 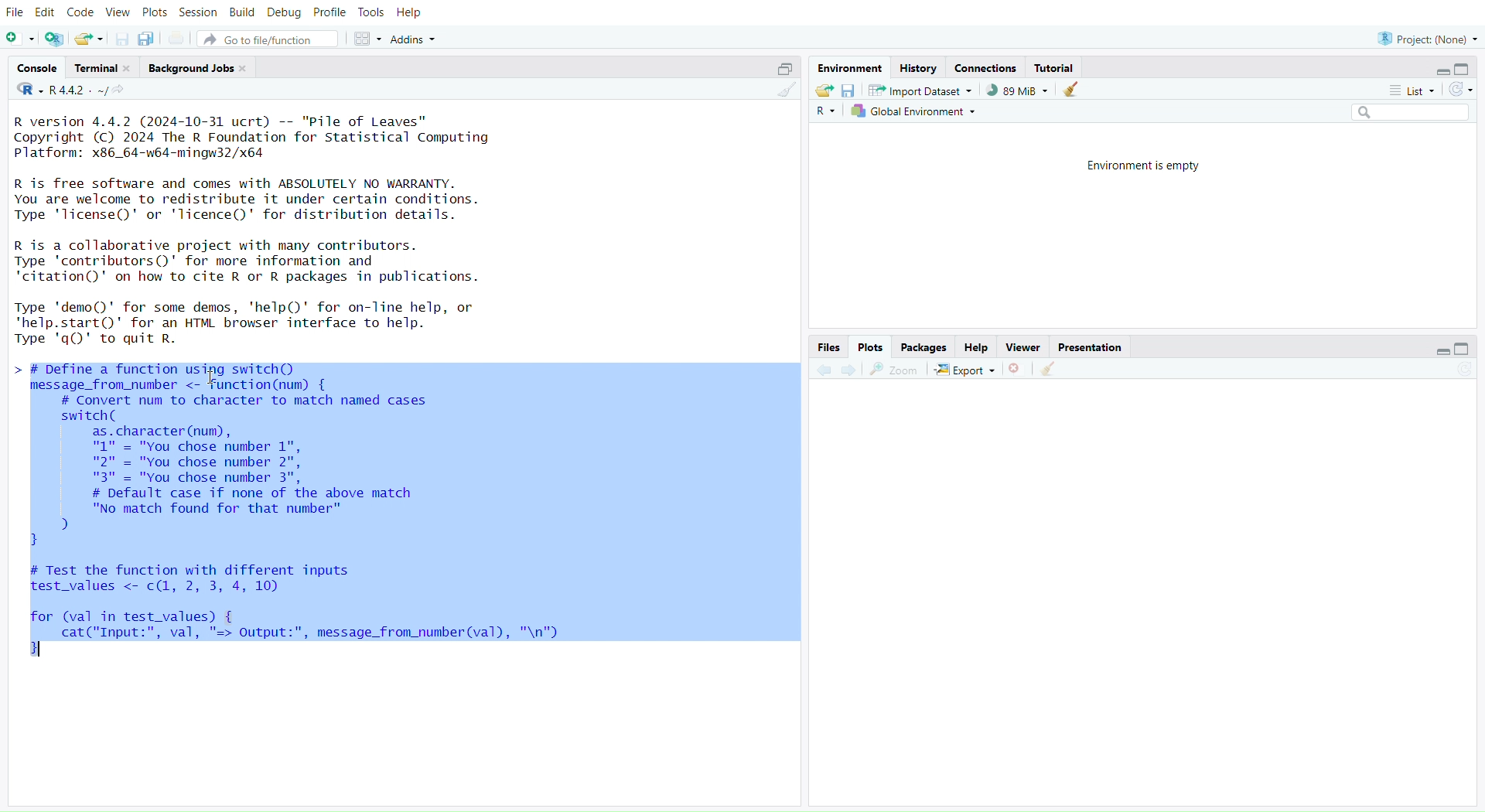 What do you see at coordinates (200, 12) in the screenshot?
I see `Session` at bounding box center [200, 12].